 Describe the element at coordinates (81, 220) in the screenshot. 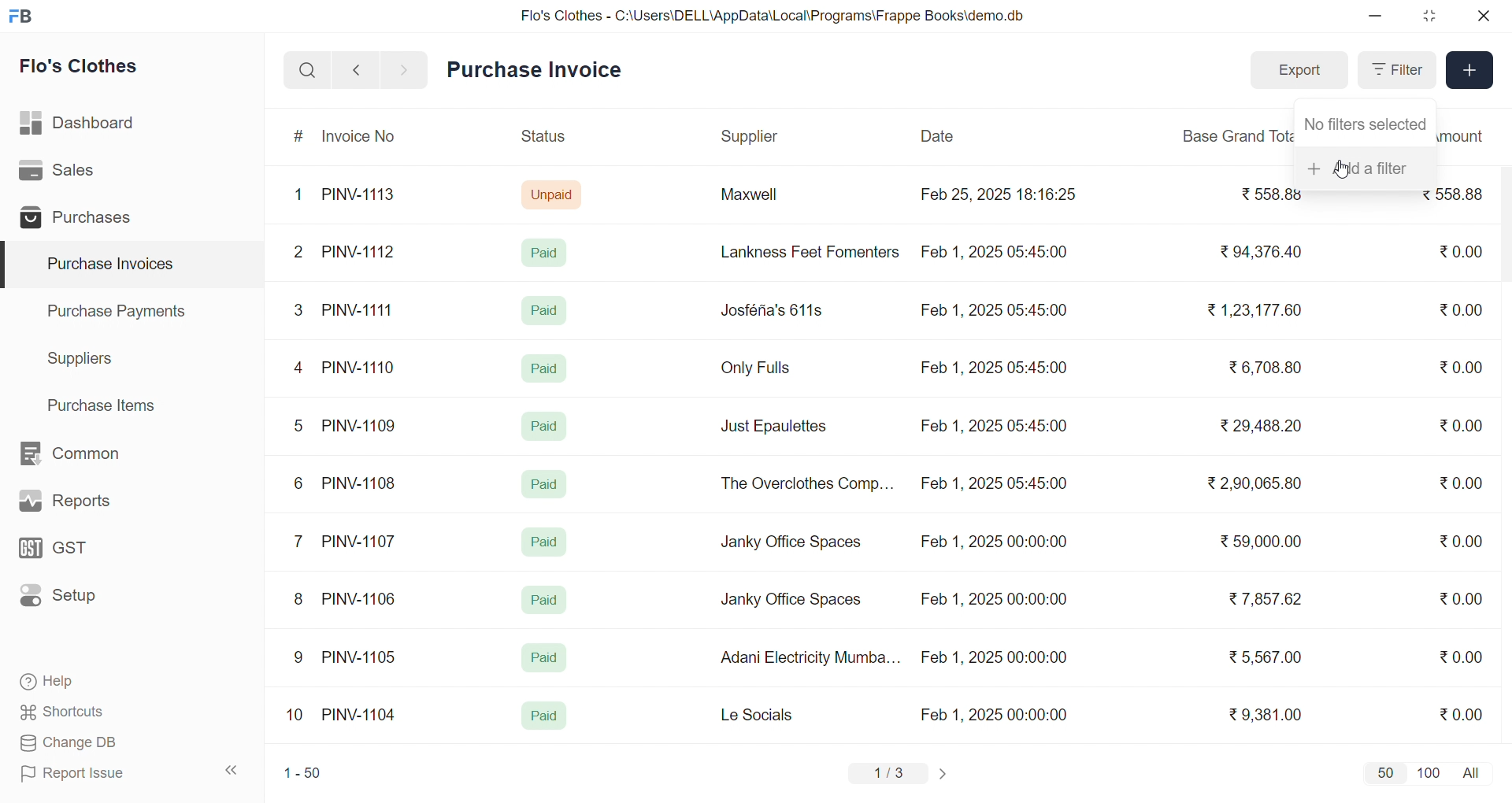

I see `Purchases` at that location.